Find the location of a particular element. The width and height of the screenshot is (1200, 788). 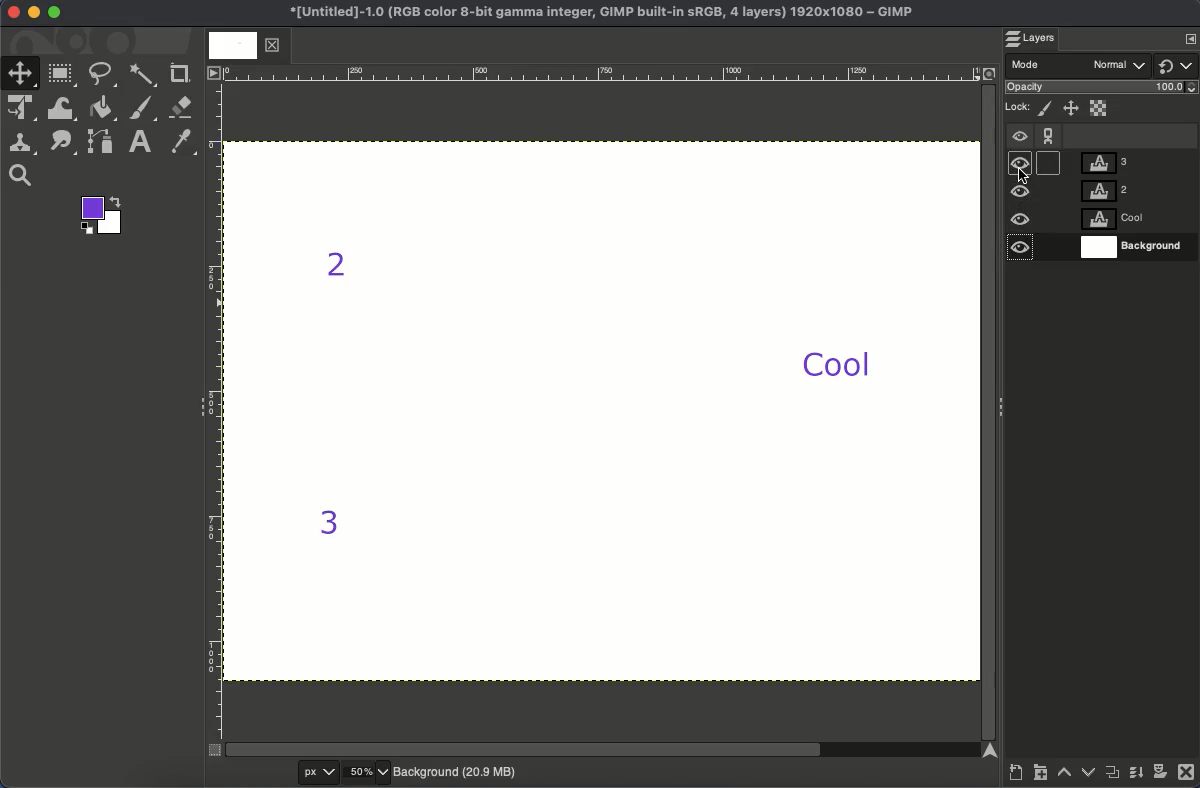

Brush is located at coordinates (143, 109).